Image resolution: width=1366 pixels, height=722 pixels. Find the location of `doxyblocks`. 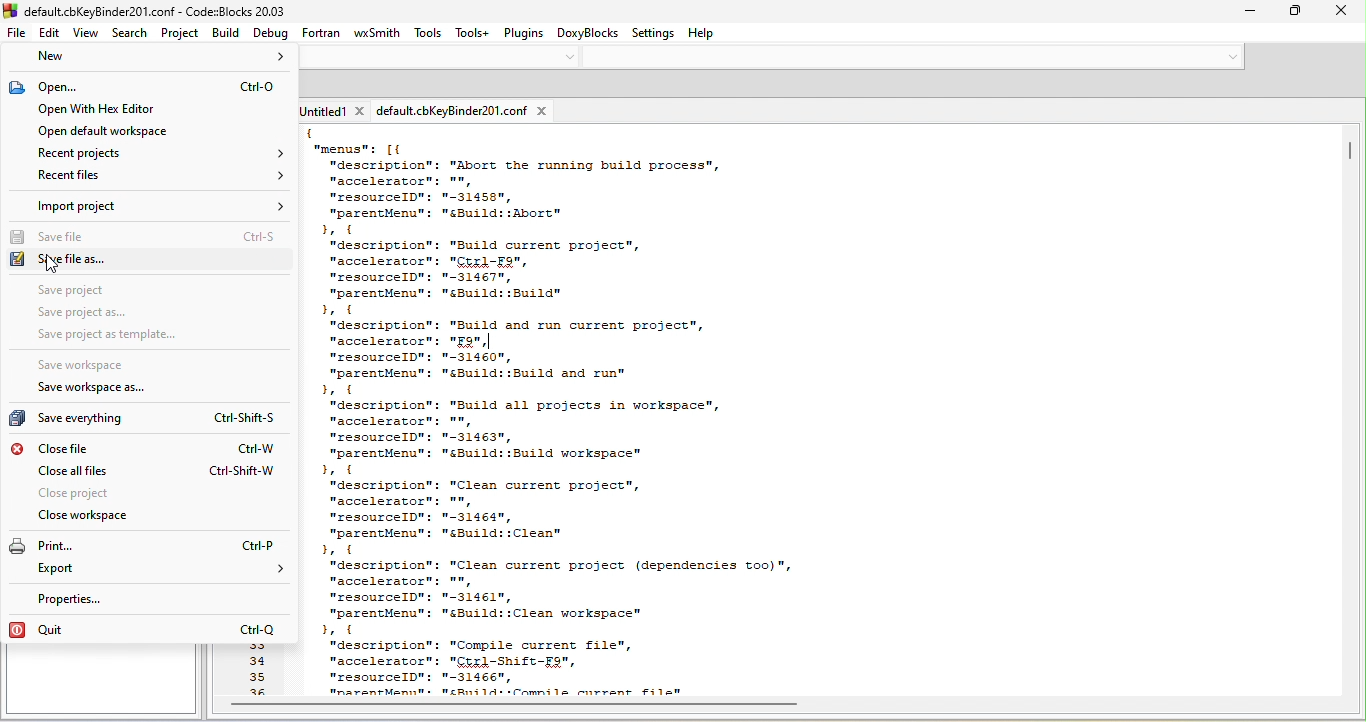

doxyblocks is located at coordinates (587, 32).